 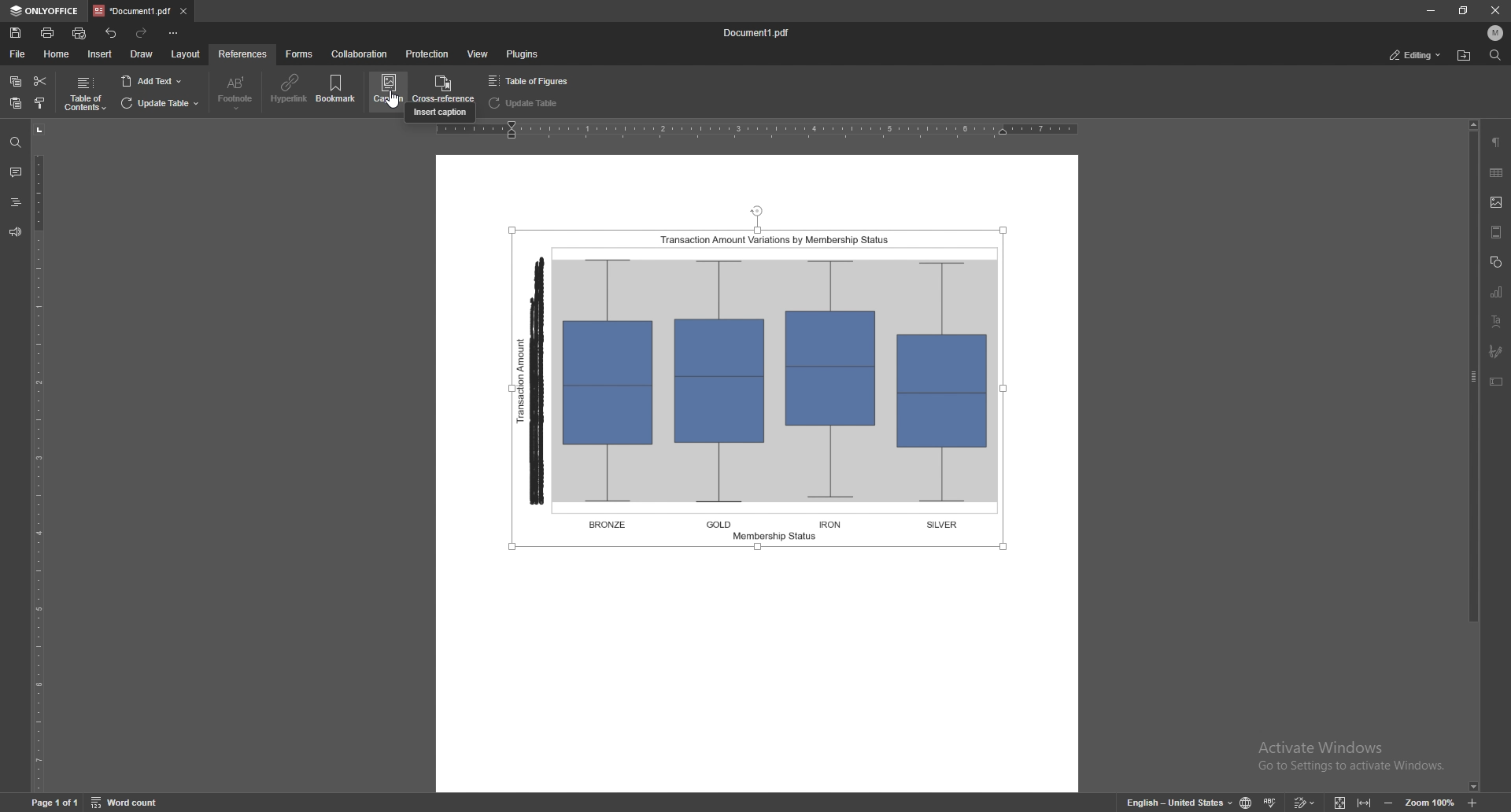 What do you see at coordinates (1341, 801) in the screenshot?
I see `fit to screen` at bounding box center [1341, 801].